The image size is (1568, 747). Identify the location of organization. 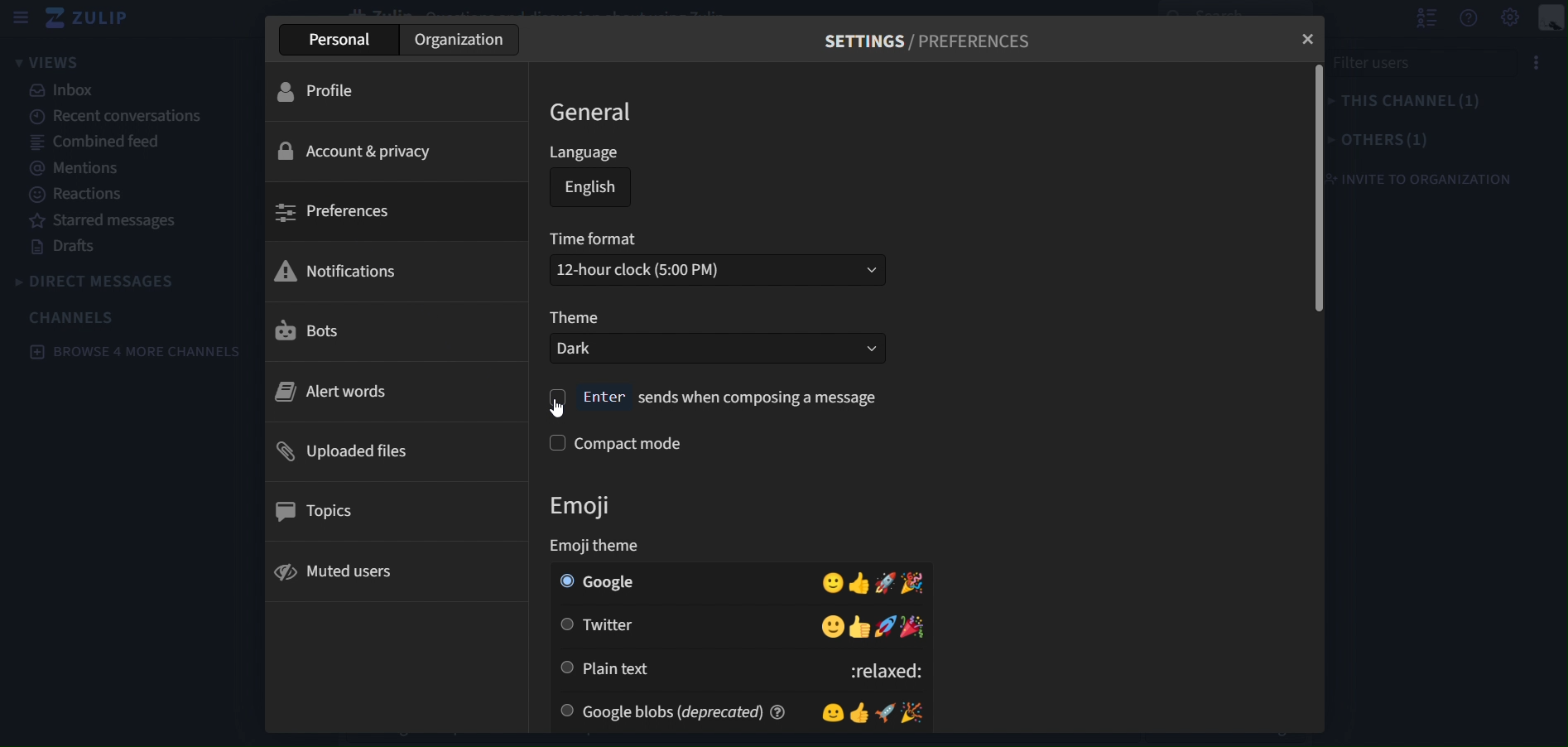
(459, 39).